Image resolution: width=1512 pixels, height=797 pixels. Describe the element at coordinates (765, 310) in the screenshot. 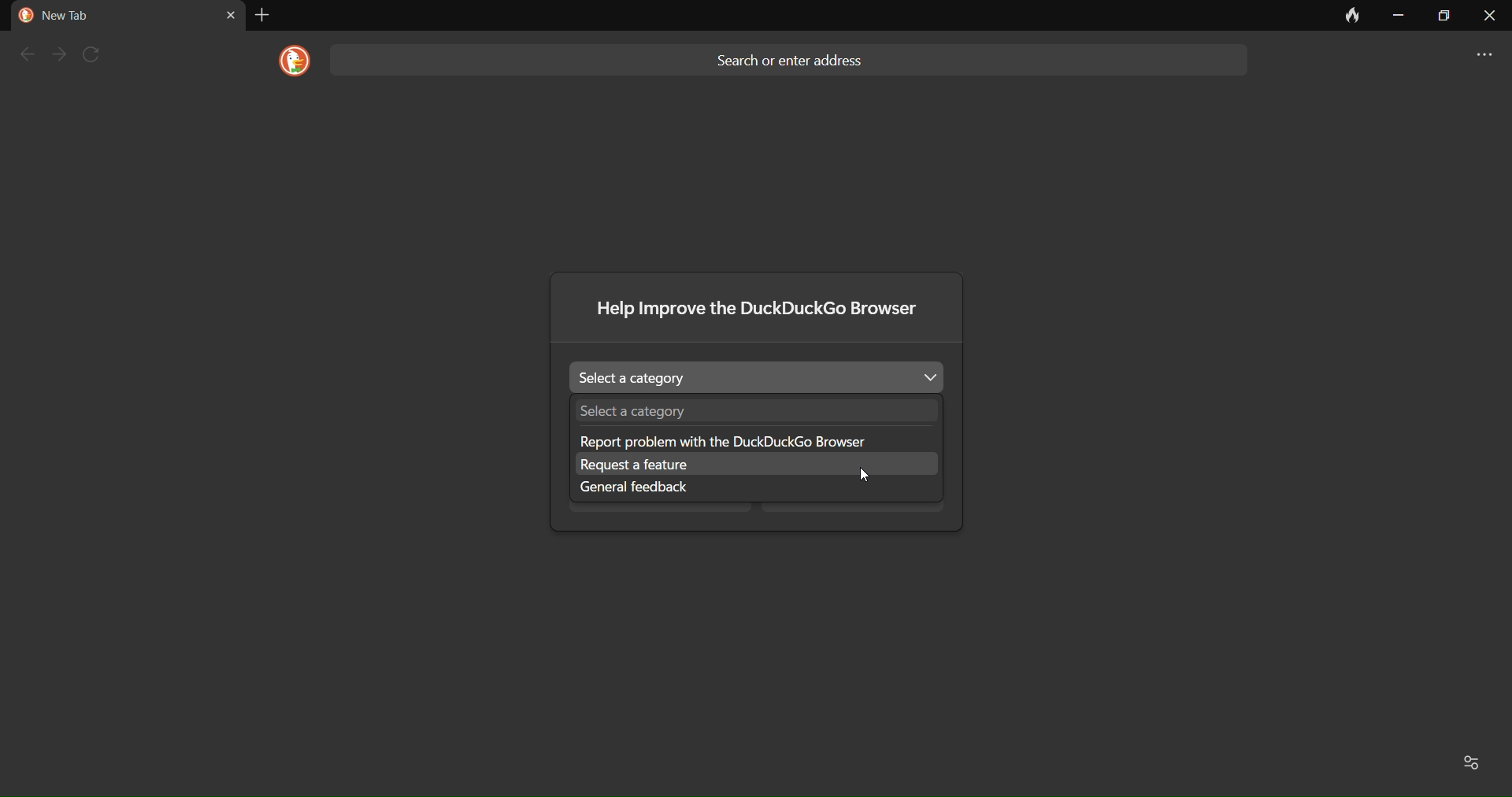

I see `Help improve the DuckDuckGo browser` at that location.